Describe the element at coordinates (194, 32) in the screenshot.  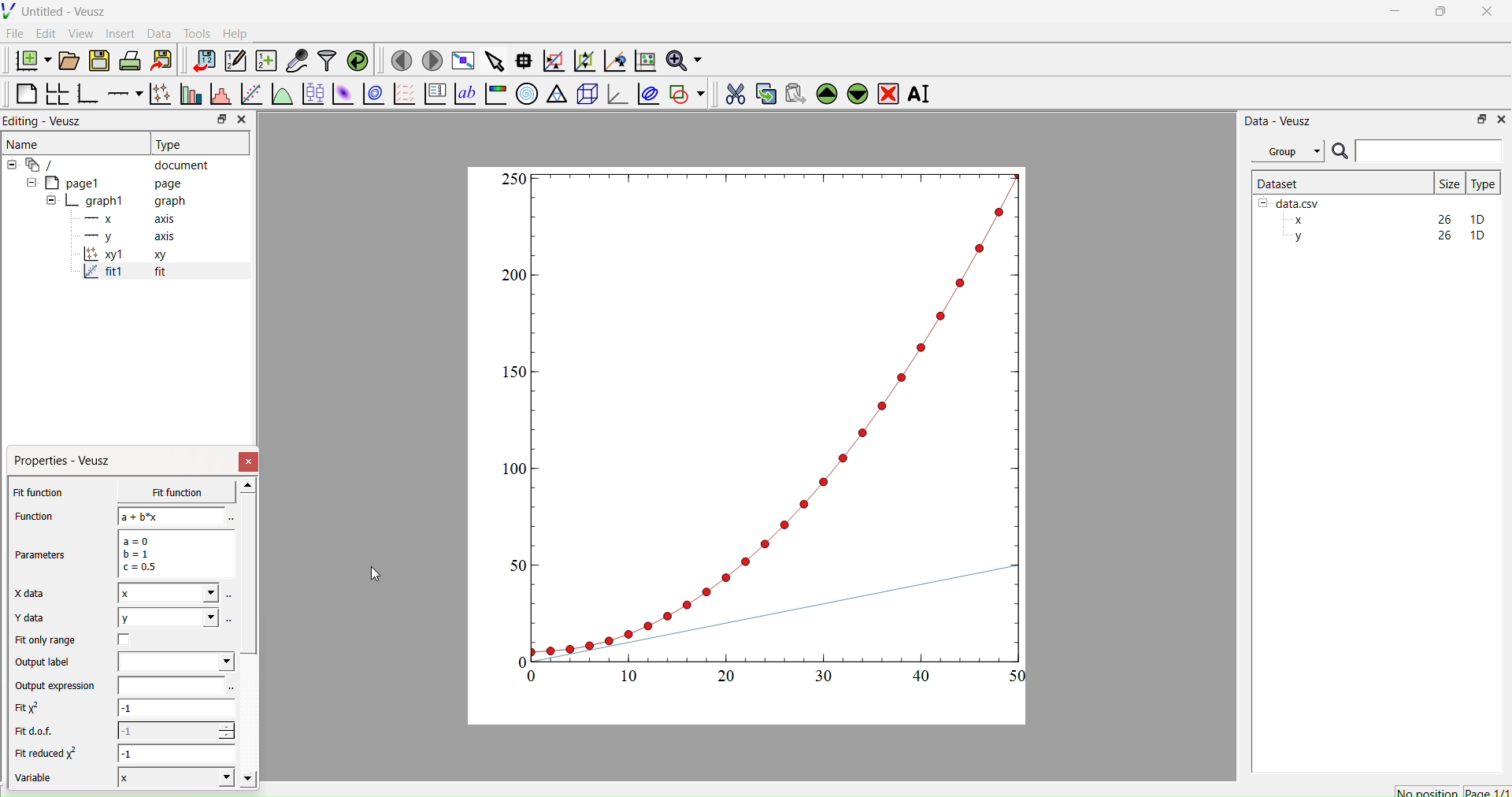
I see `Tools` at that location.